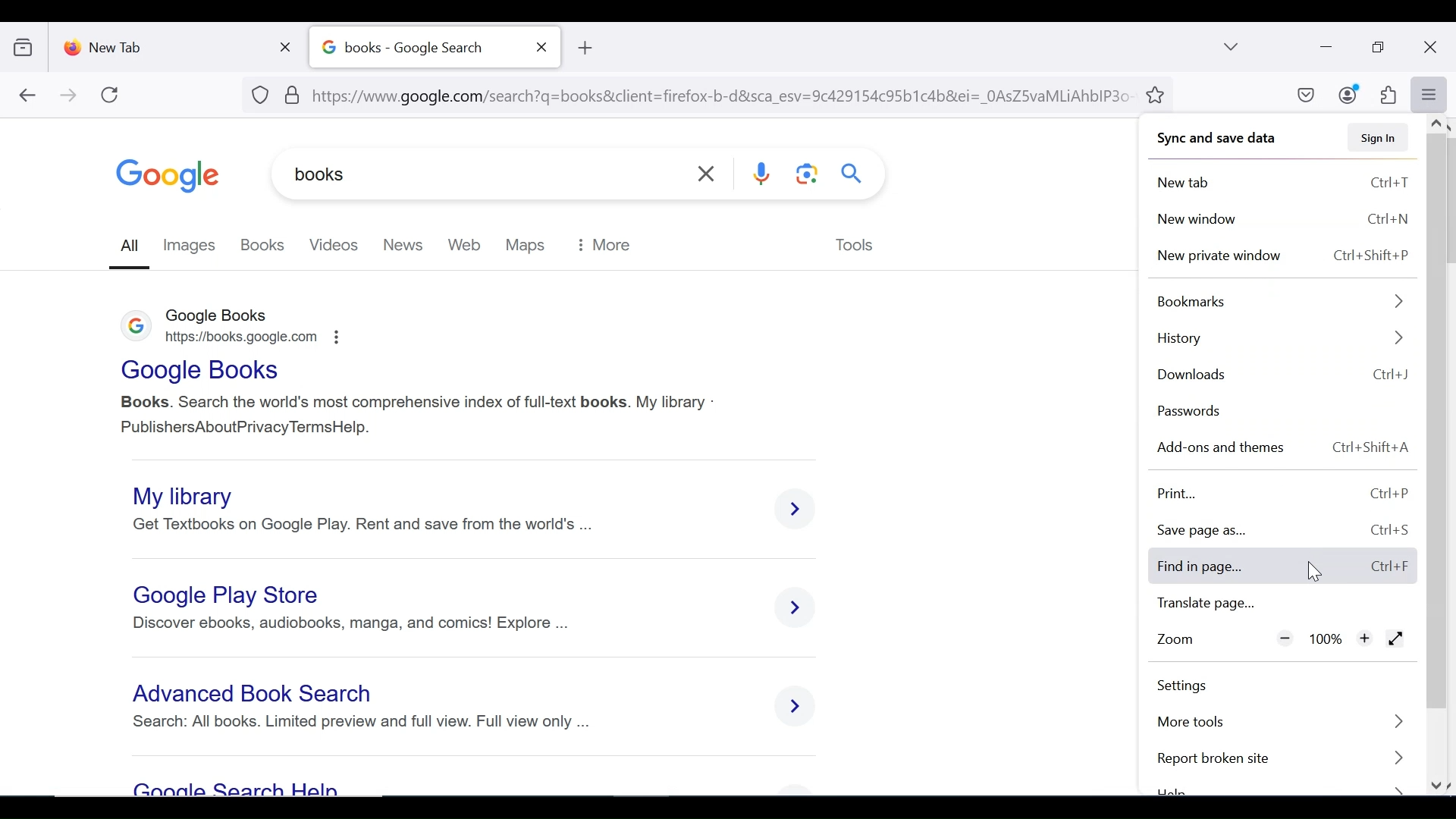 The height and width of the screenshot is (819, 1456). I want to click on clear search, so click(708, 174).